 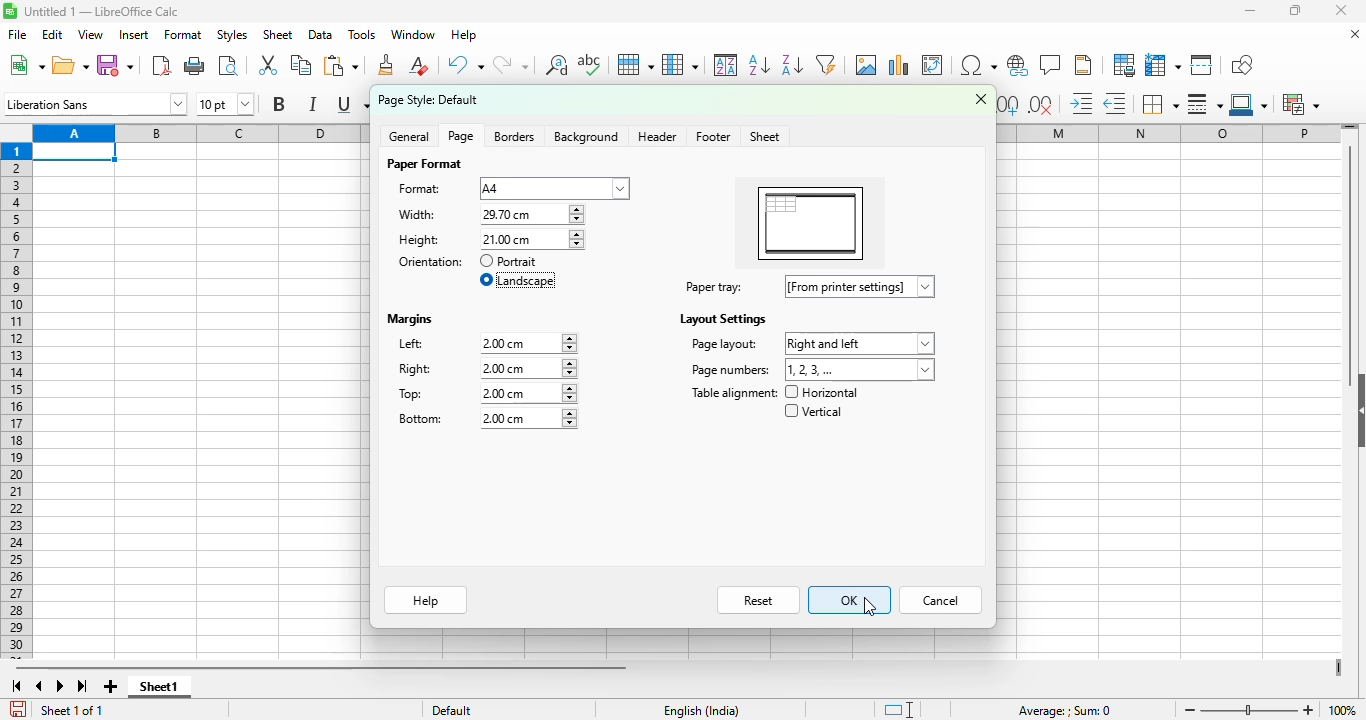 What do you see at coordinates (134, 35) in the screenshot?
I see `insert` at bounding box center [134, 35].